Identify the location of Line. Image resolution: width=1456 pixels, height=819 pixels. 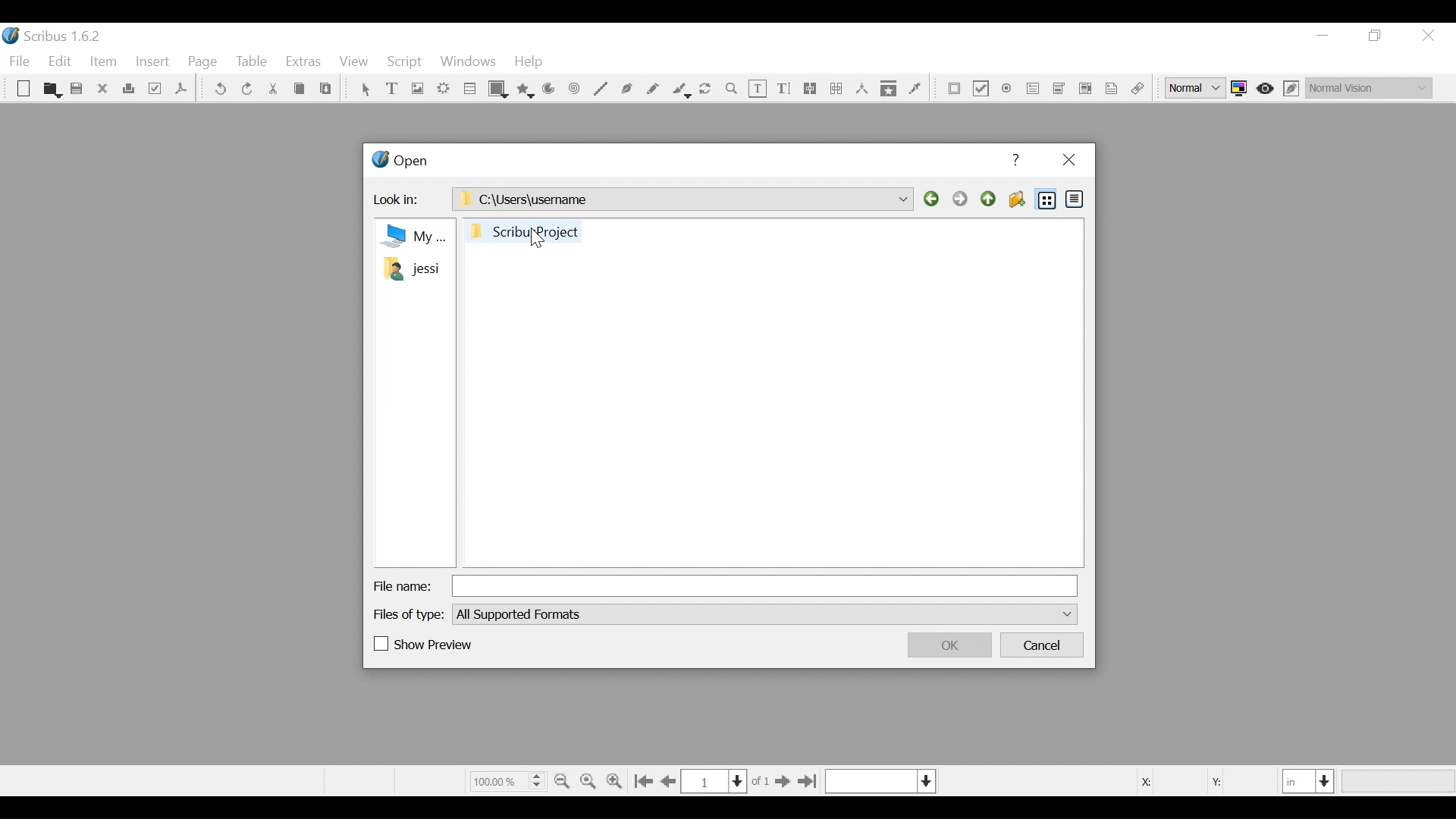
(600, 89).